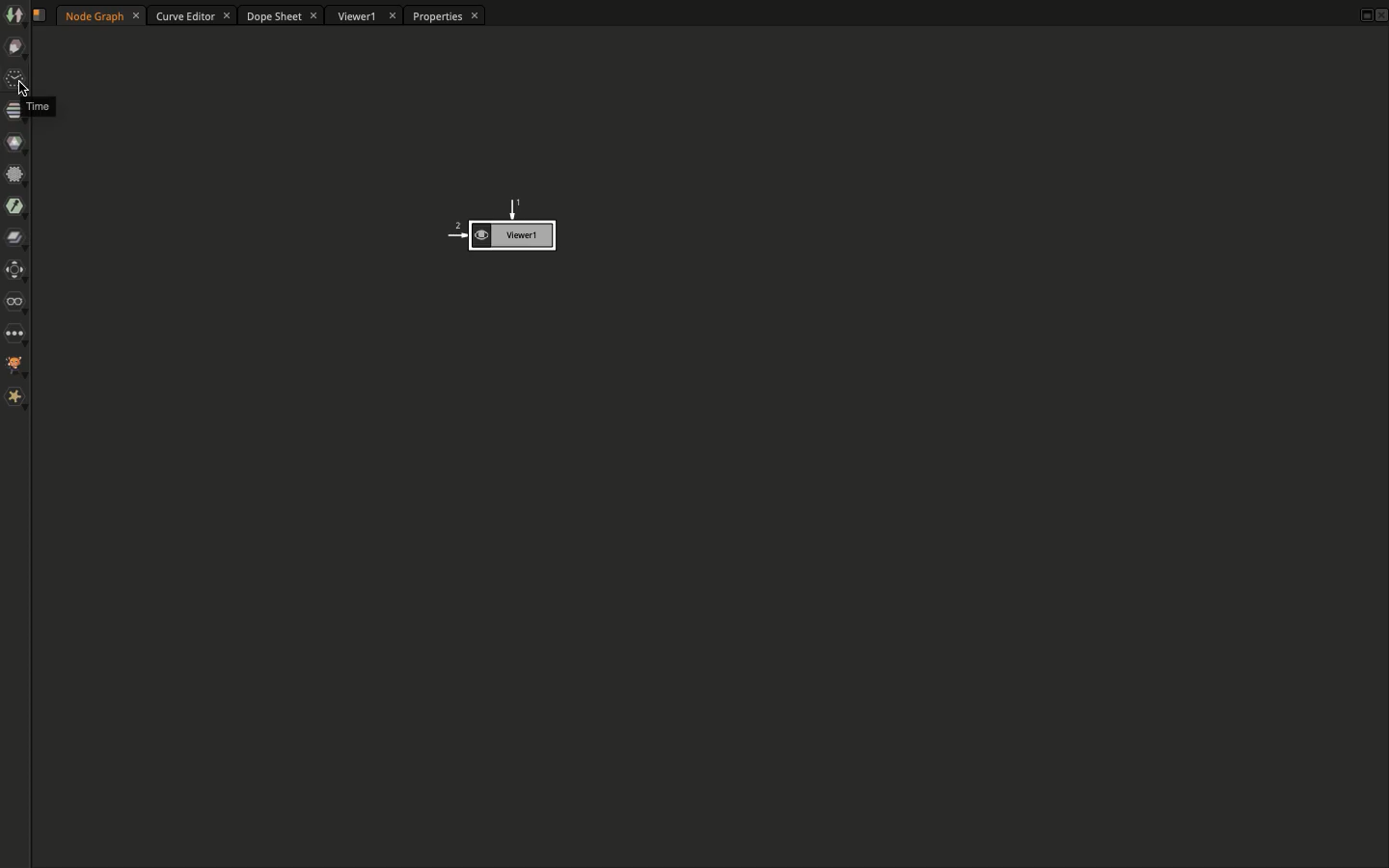 Image resolution: width=1389 pixels, height=868 pixels. I want to click on Filter, so click(15, 175).